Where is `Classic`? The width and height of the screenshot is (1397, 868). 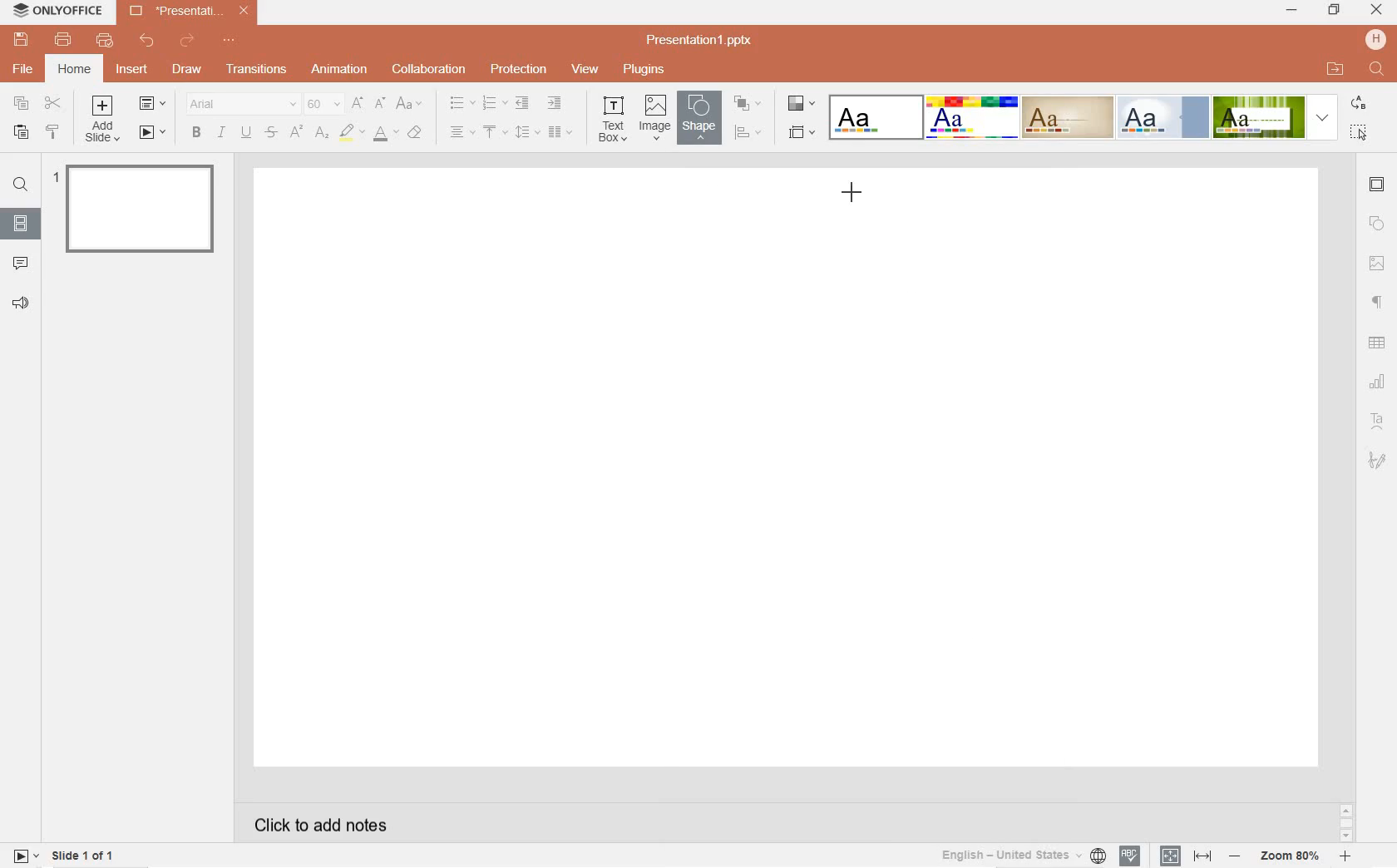
Classic is located at coordinates (1067, 117).